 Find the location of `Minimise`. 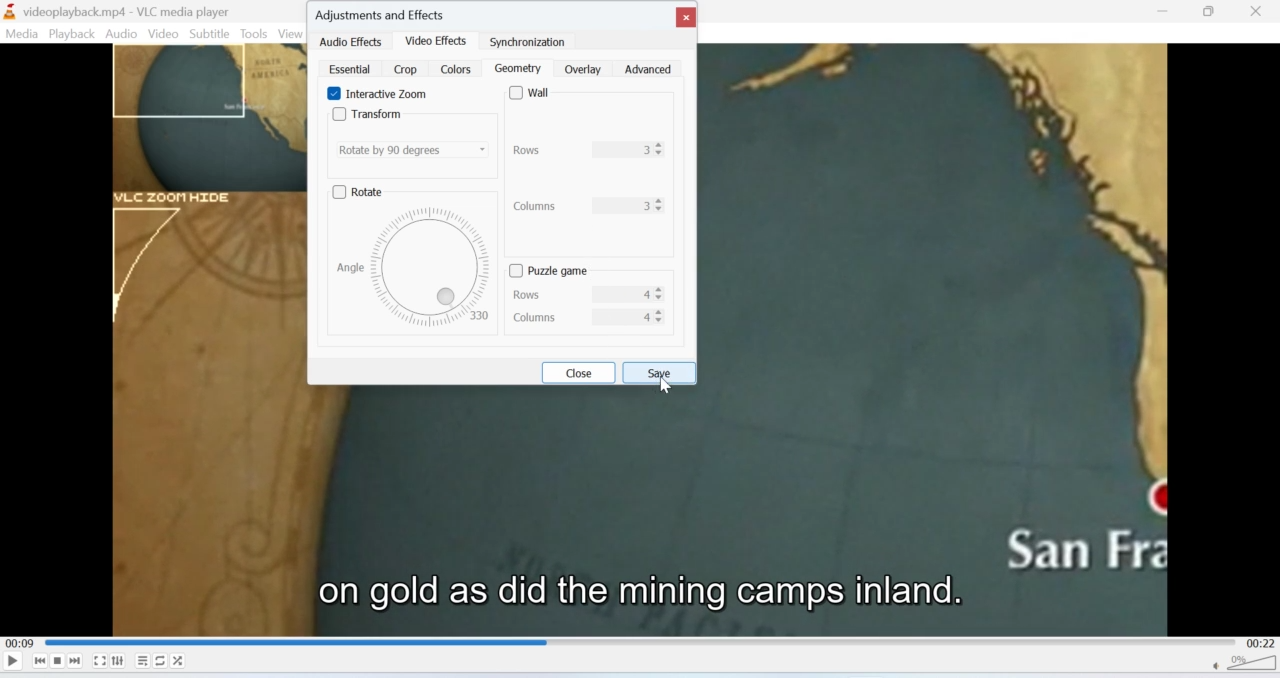

Minimise is located at coordinates (1208, 11).